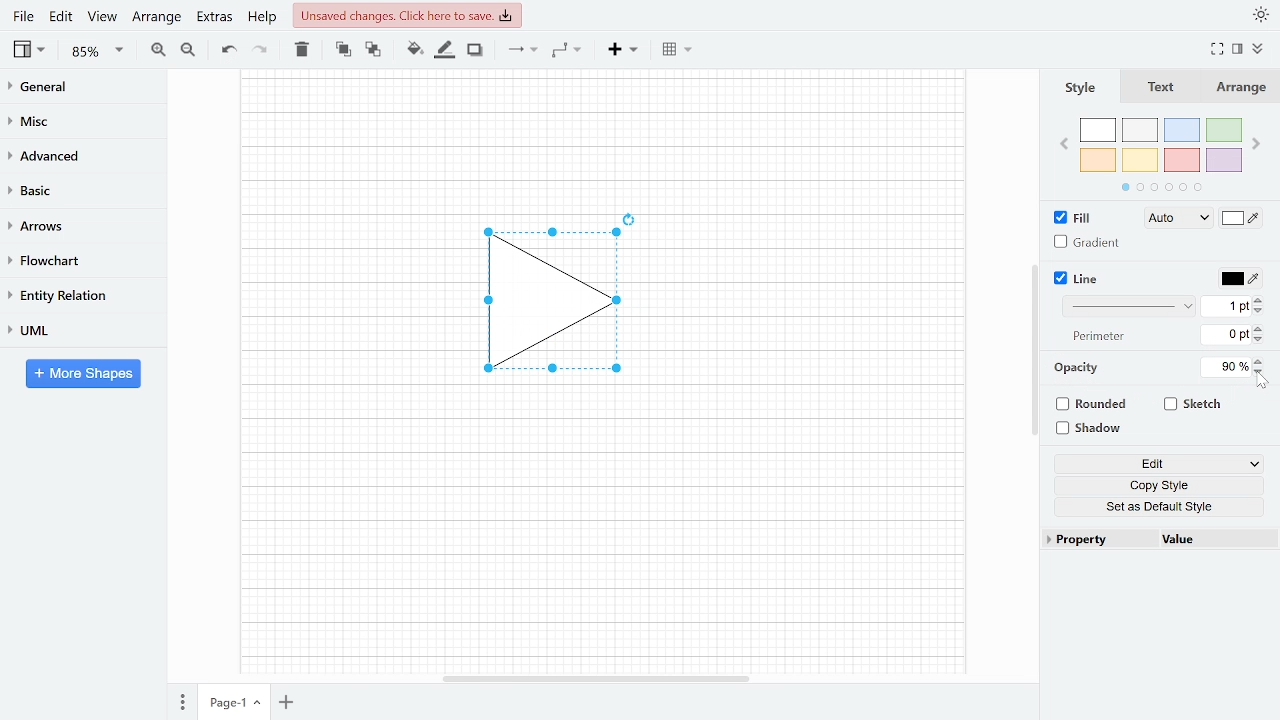 Image resolution: width=1280 pixels, height=720 pixels. What do you see at coordinates (343, 49) in the screenshot?
I see `To front` at bounding box center [343, 49].